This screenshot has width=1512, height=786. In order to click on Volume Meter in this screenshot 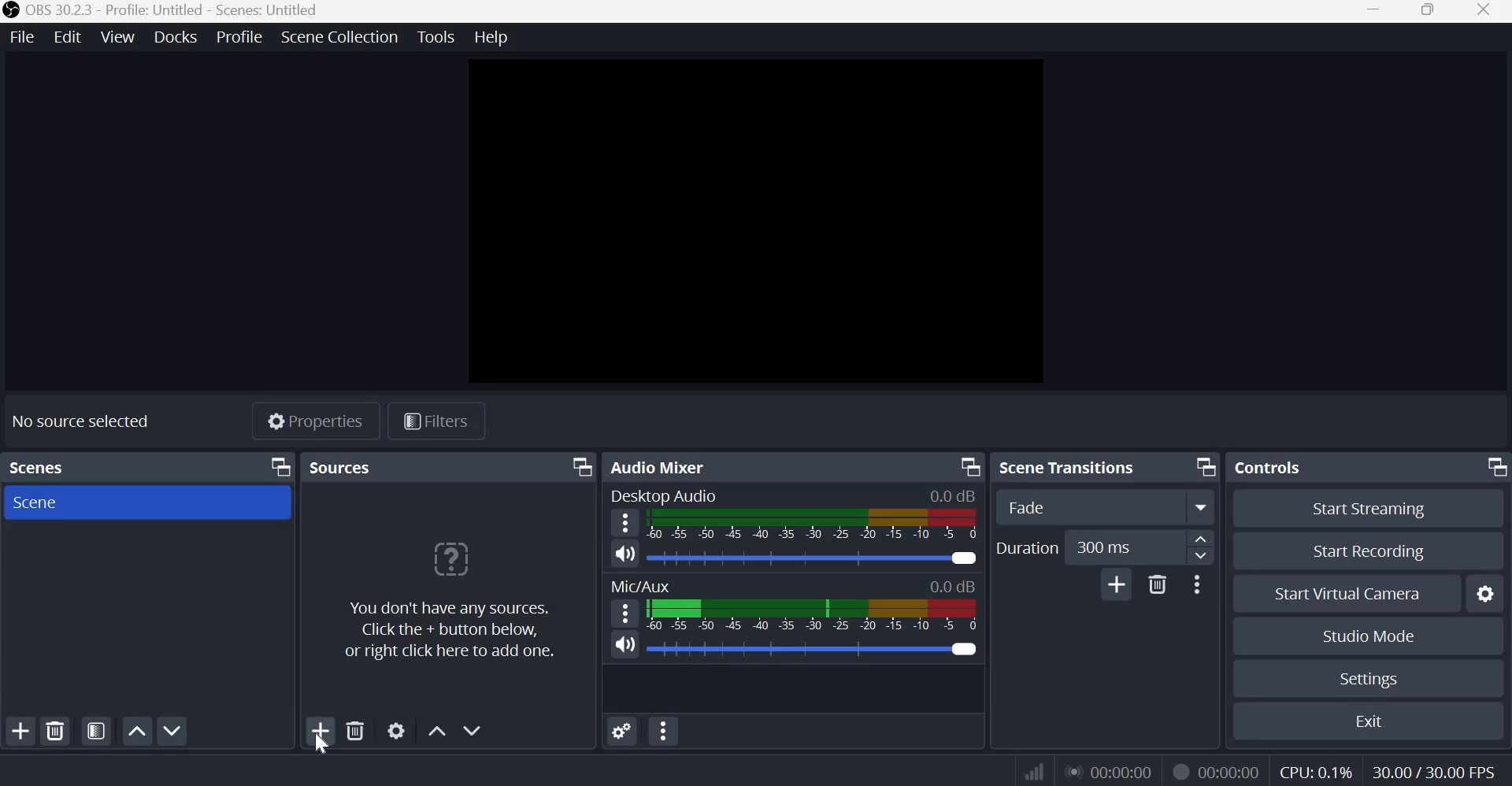, I will do `click(813, 618)`.